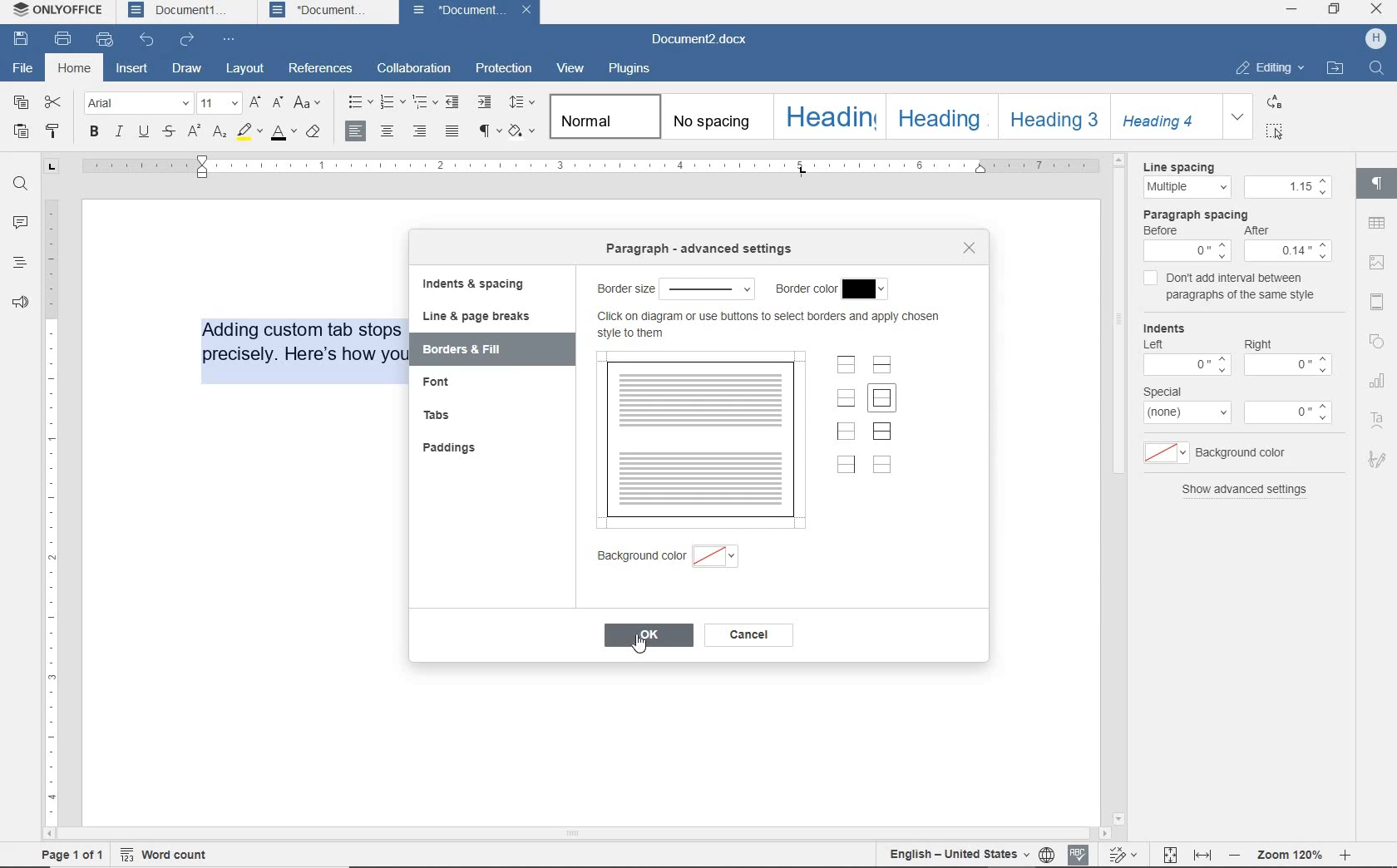 The width and height of the screenshot is (1397, 868). Describe the element at coordinates (1148, 279) in the screenshot. I see `checkbox` at that location.